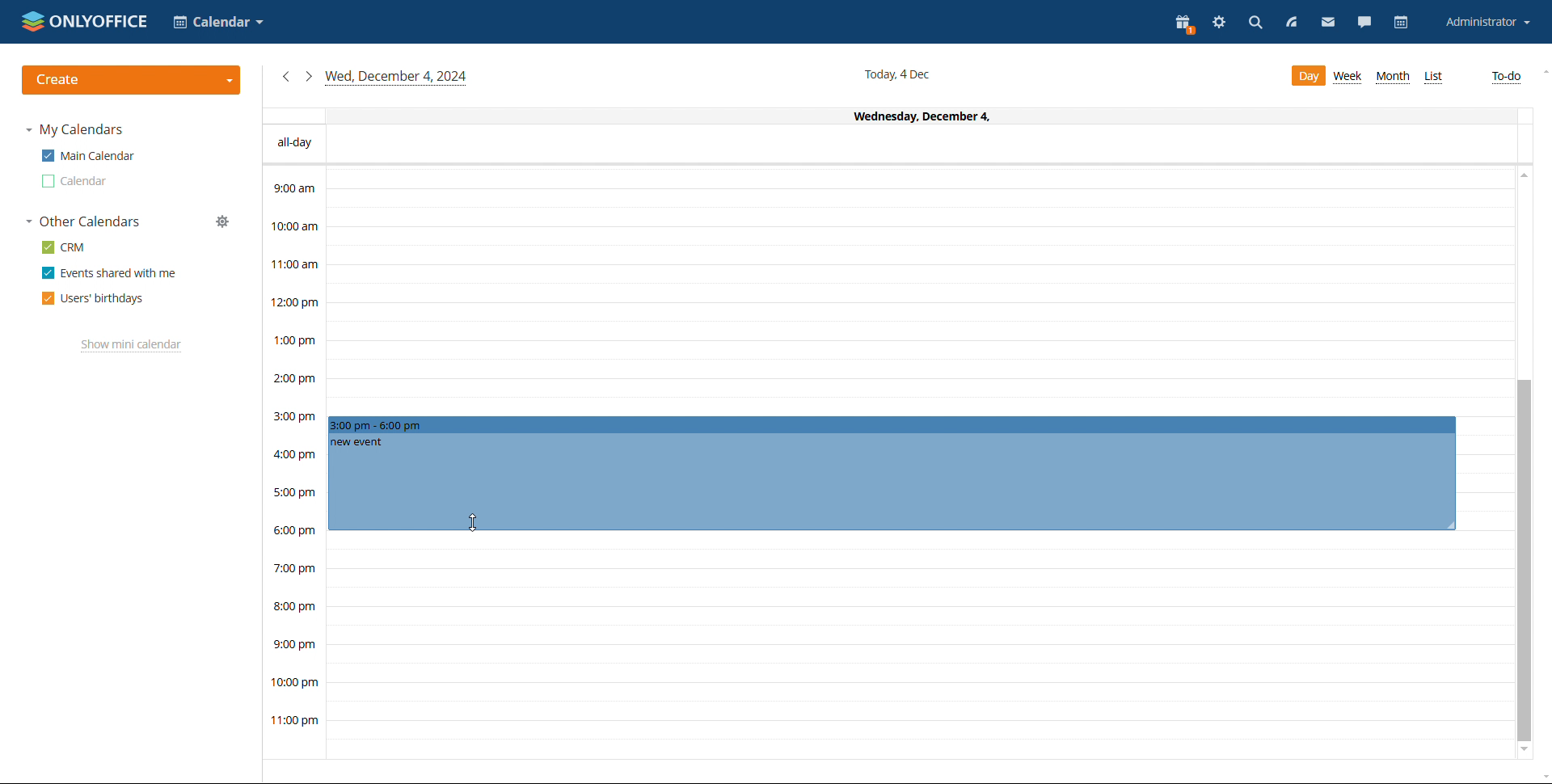  I want to click on timeline, so click(293, 462).